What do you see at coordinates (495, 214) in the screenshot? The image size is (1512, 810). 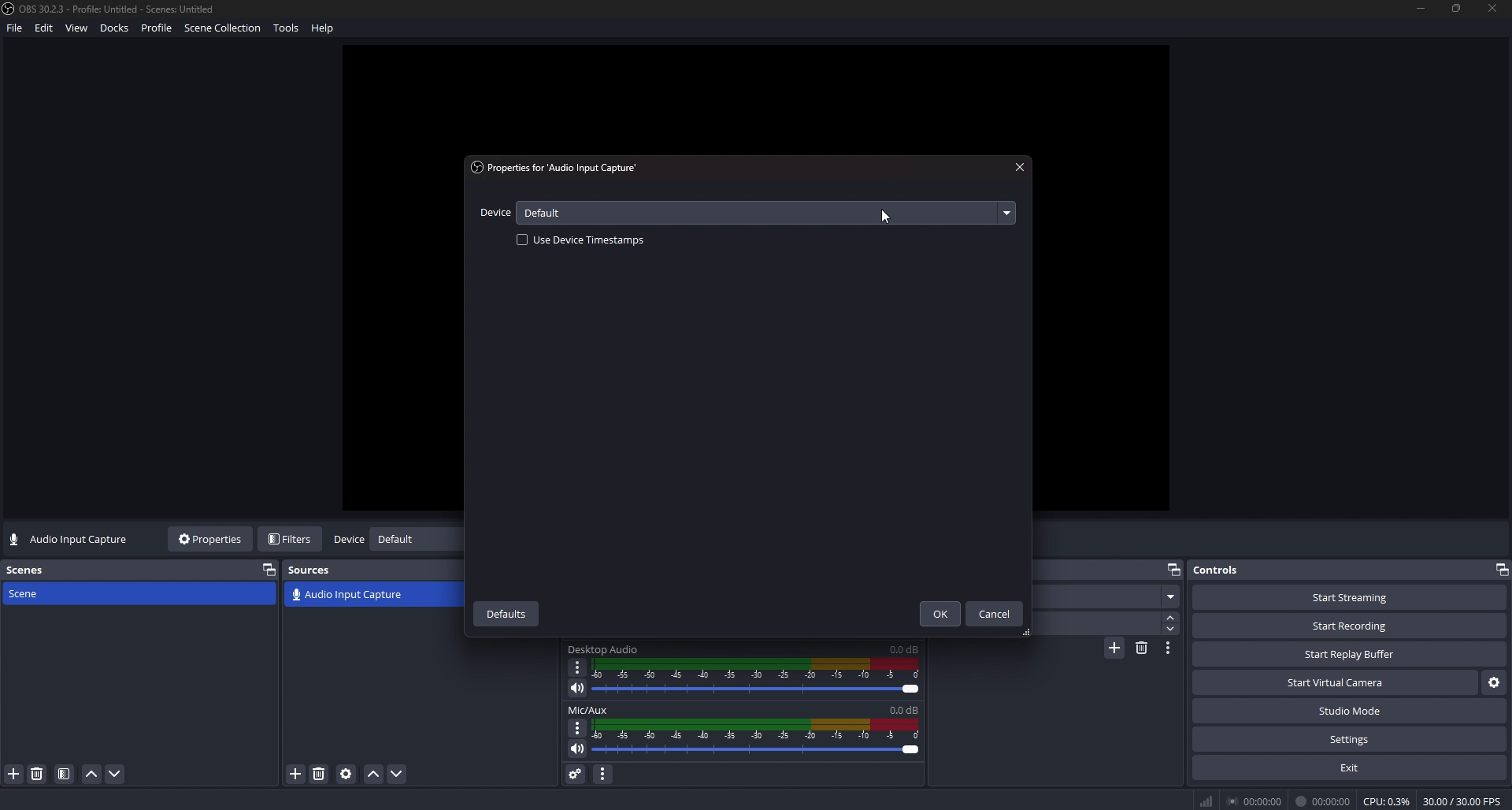 I see `device` at bounding box center [495, 214].